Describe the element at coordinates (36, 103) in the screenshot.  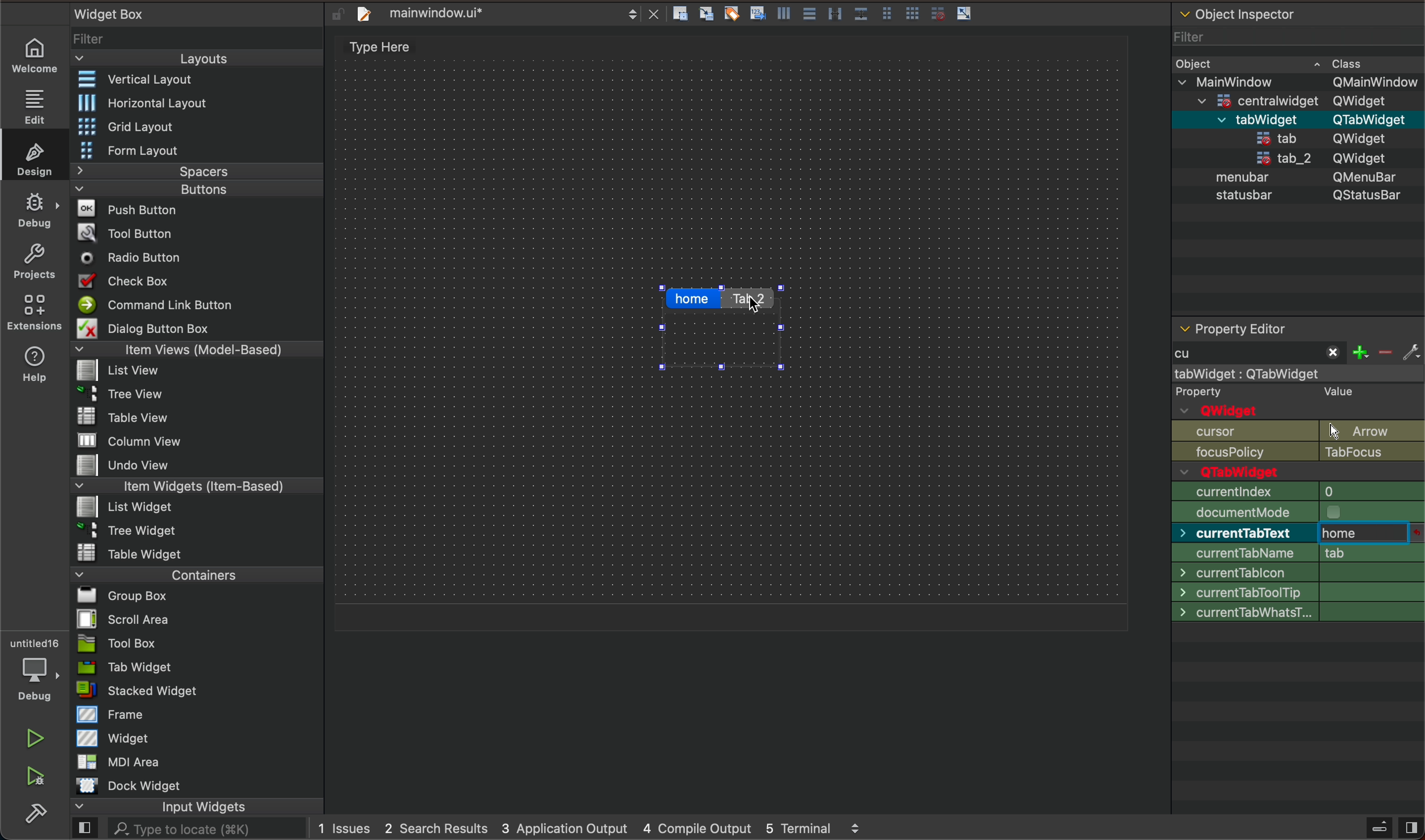
I see `edit` at that location.